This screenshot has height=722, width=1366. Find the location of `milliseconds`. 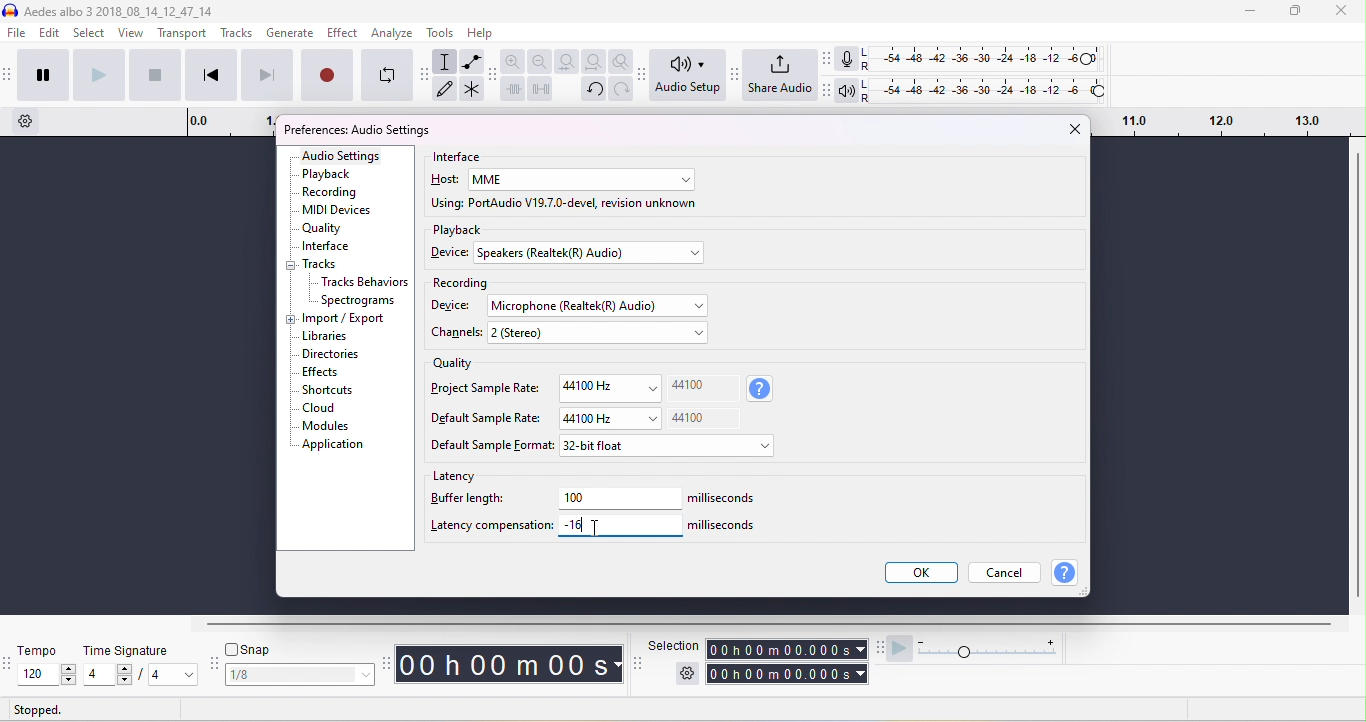

milliseconds is located at coordinates (727, 499).